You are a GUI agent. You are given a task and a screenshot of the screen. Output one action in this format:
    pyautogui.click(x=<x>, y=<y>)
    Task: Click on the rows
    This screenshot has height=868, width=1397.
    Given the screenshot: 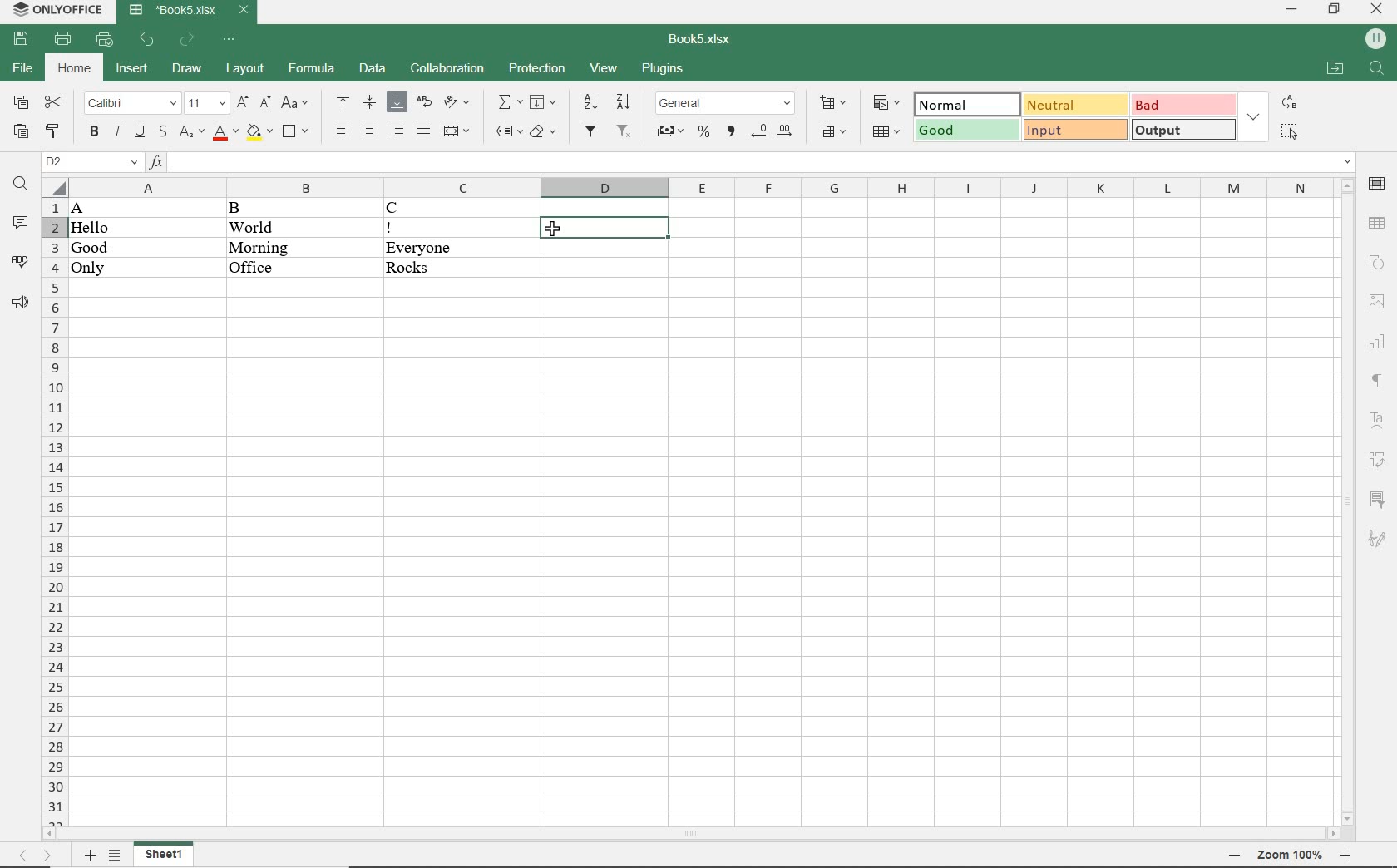 What is the action you would take?
    pyautogui.click(x=52, y=510)
    